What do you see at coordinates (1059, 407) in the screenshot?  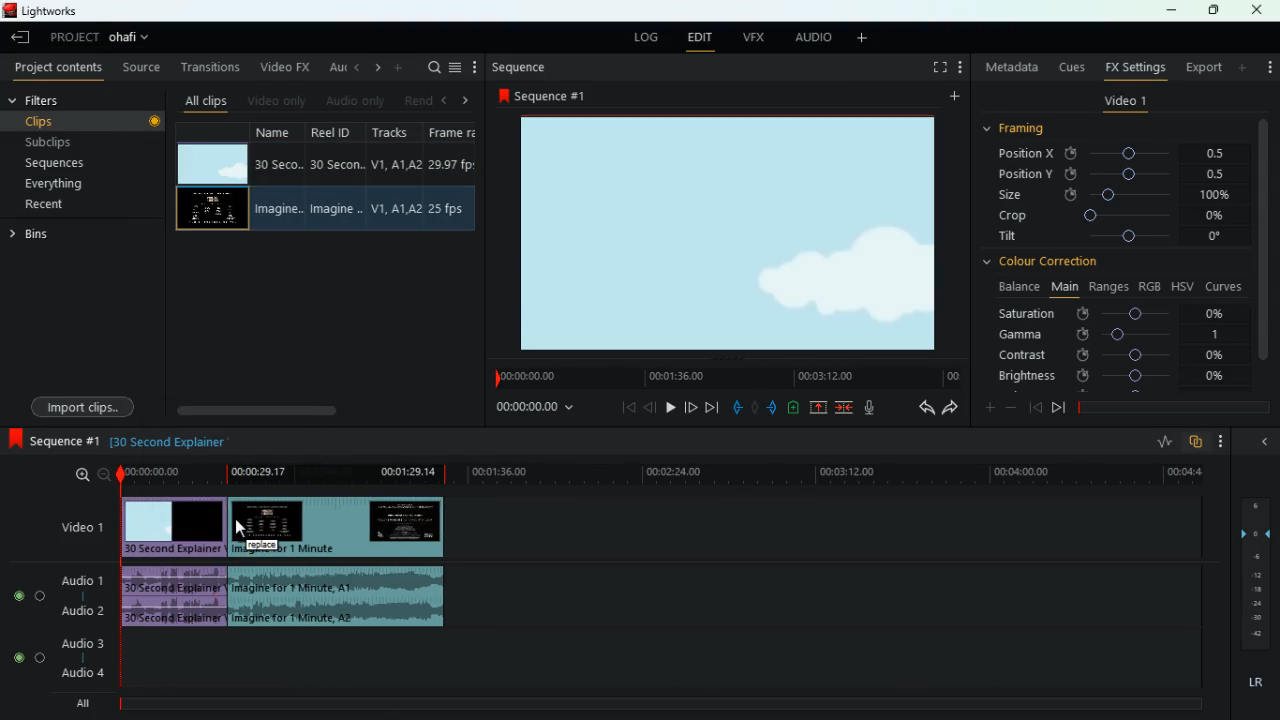 I see `front` at bounding box center [1059, 407].